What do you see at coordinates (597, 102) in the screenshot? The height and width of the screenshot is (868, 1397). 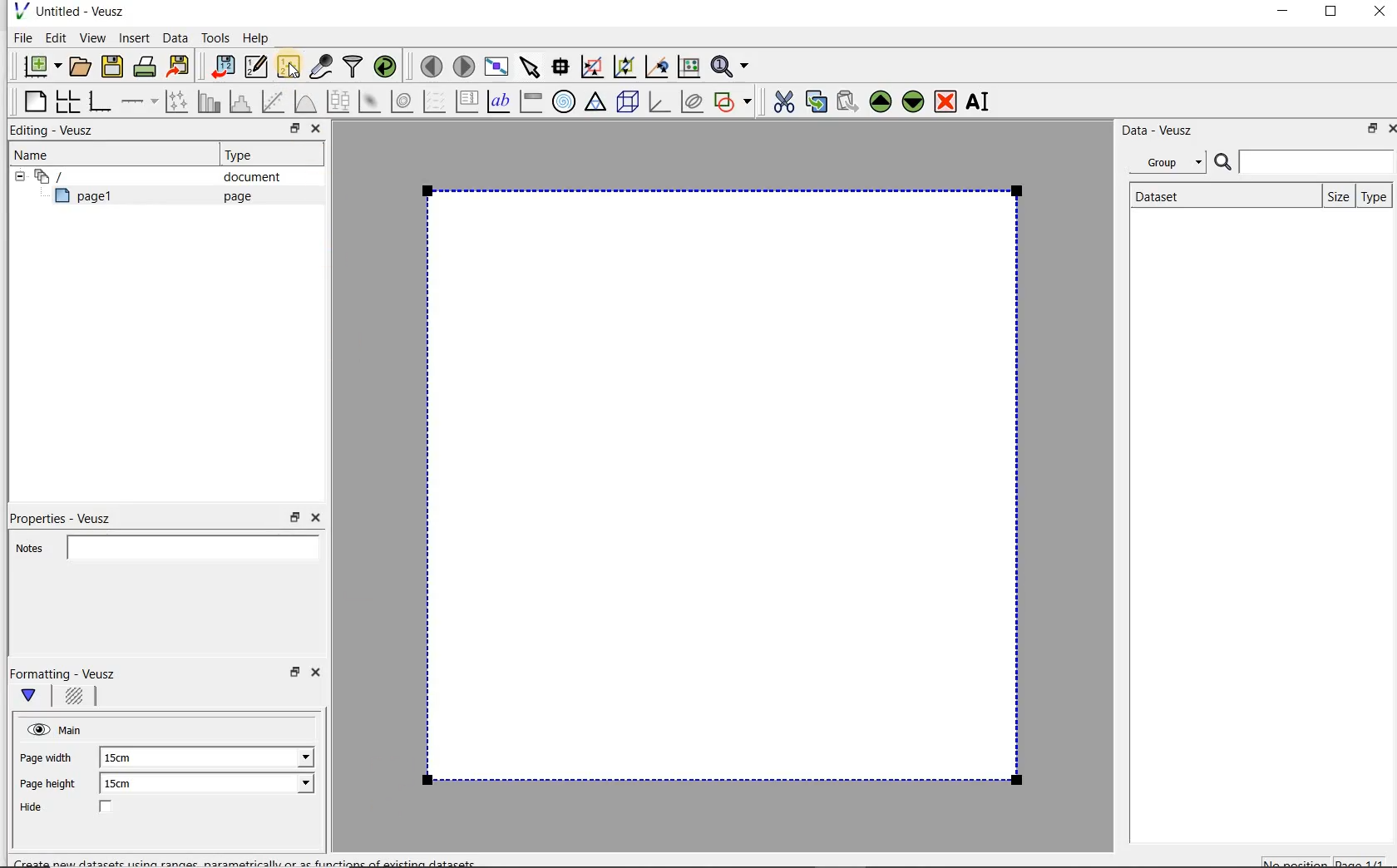 I see `ternary graph` at bounding box center [597, 102].